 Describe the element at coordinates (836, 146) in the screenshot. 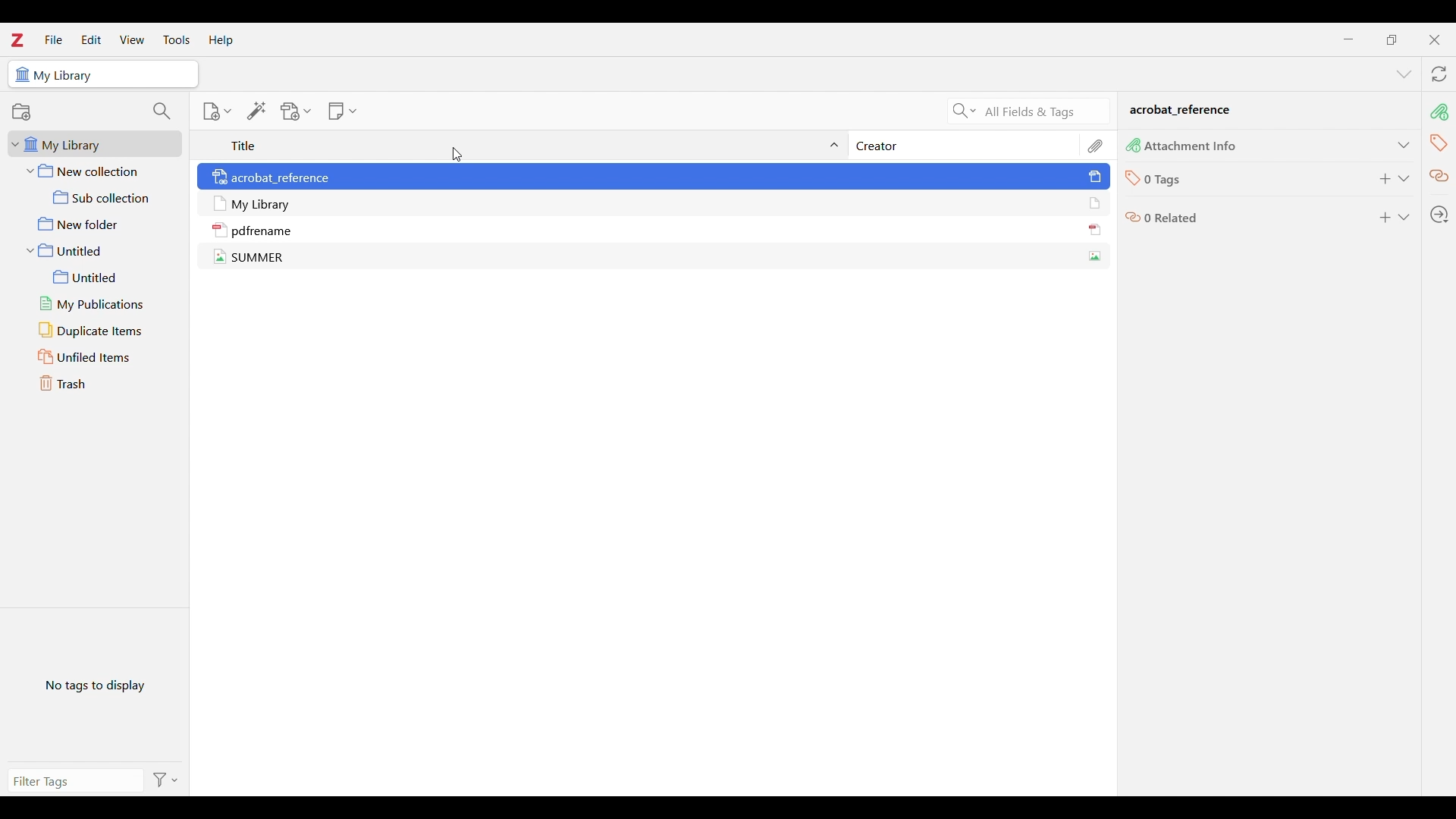

I see `expand/collapse ` at that location.